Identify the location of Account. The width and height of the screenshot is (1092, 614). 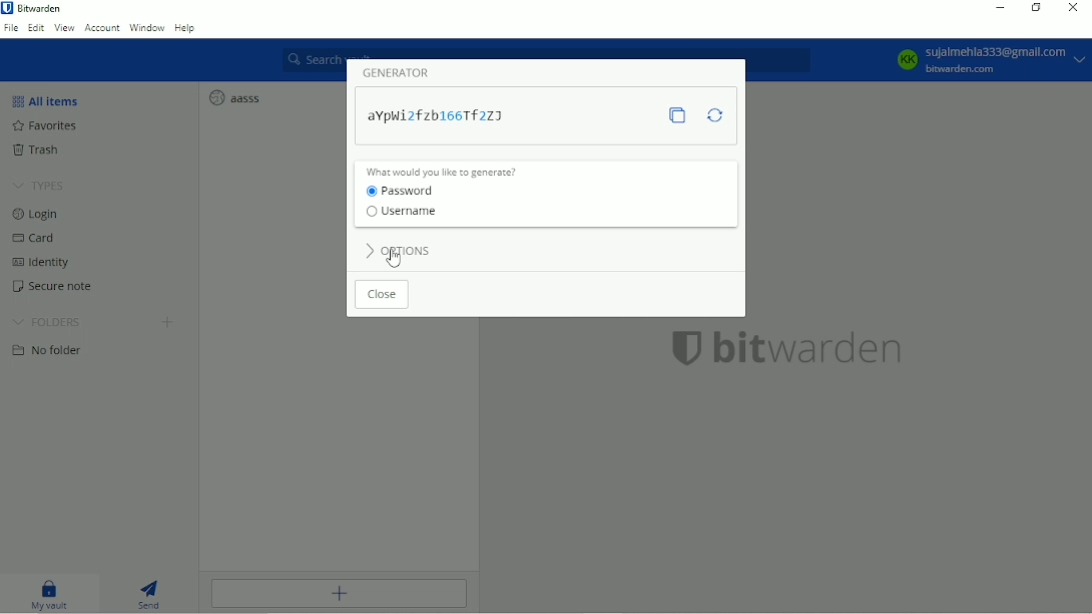
(101, 28).